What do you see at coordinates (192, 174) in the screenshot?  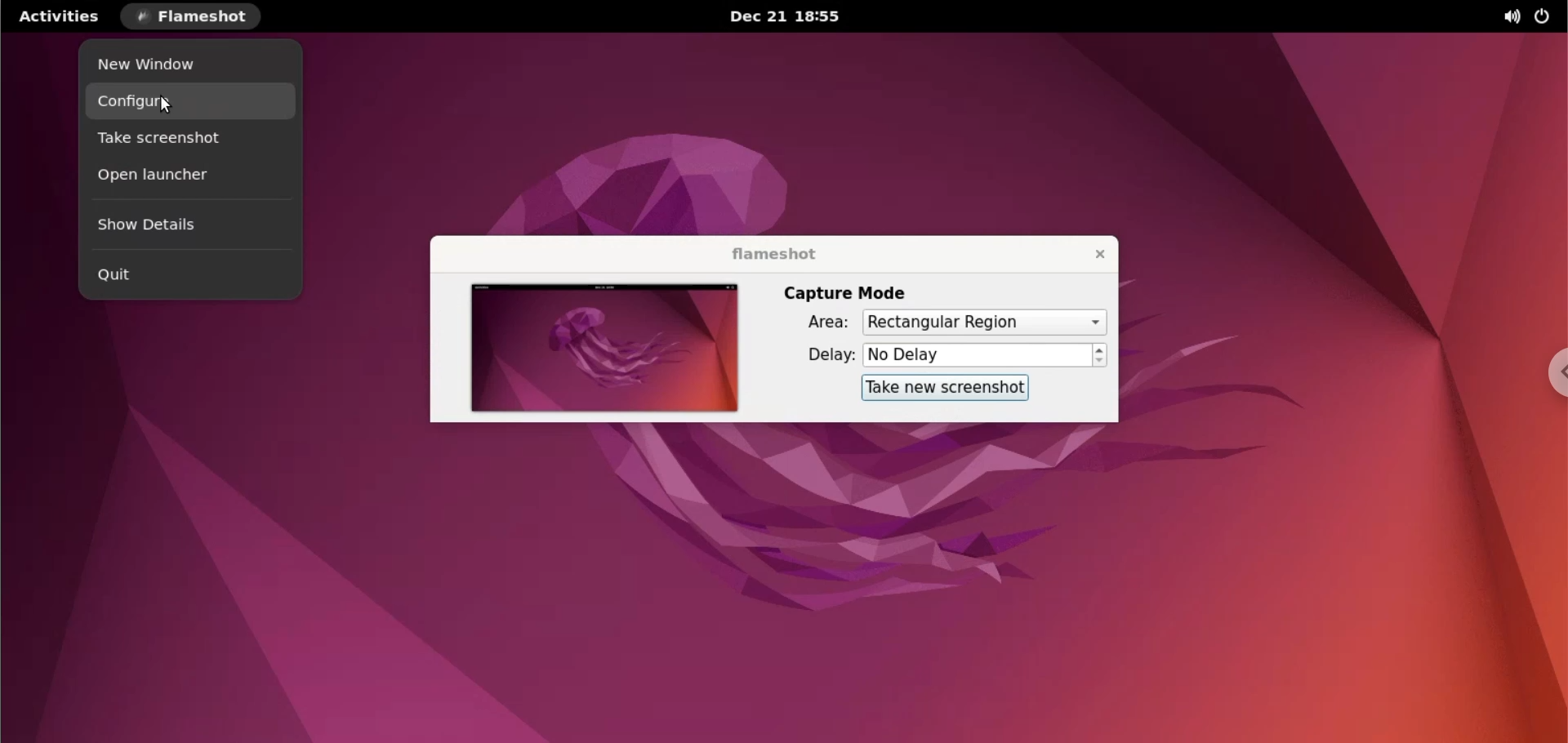 I see `open launcher` at bounding box center [192, 174].